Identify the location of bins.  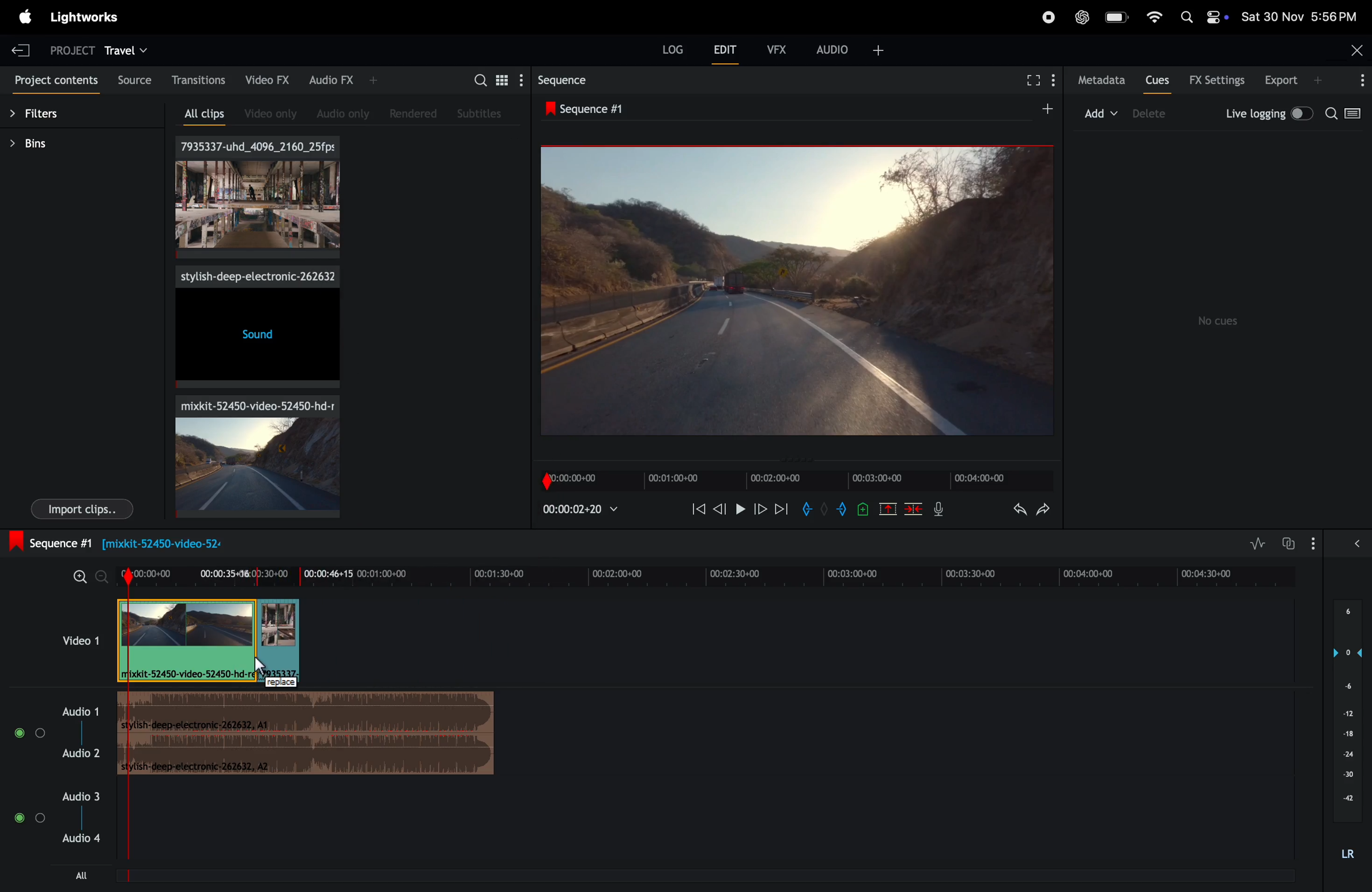
(38, 143).